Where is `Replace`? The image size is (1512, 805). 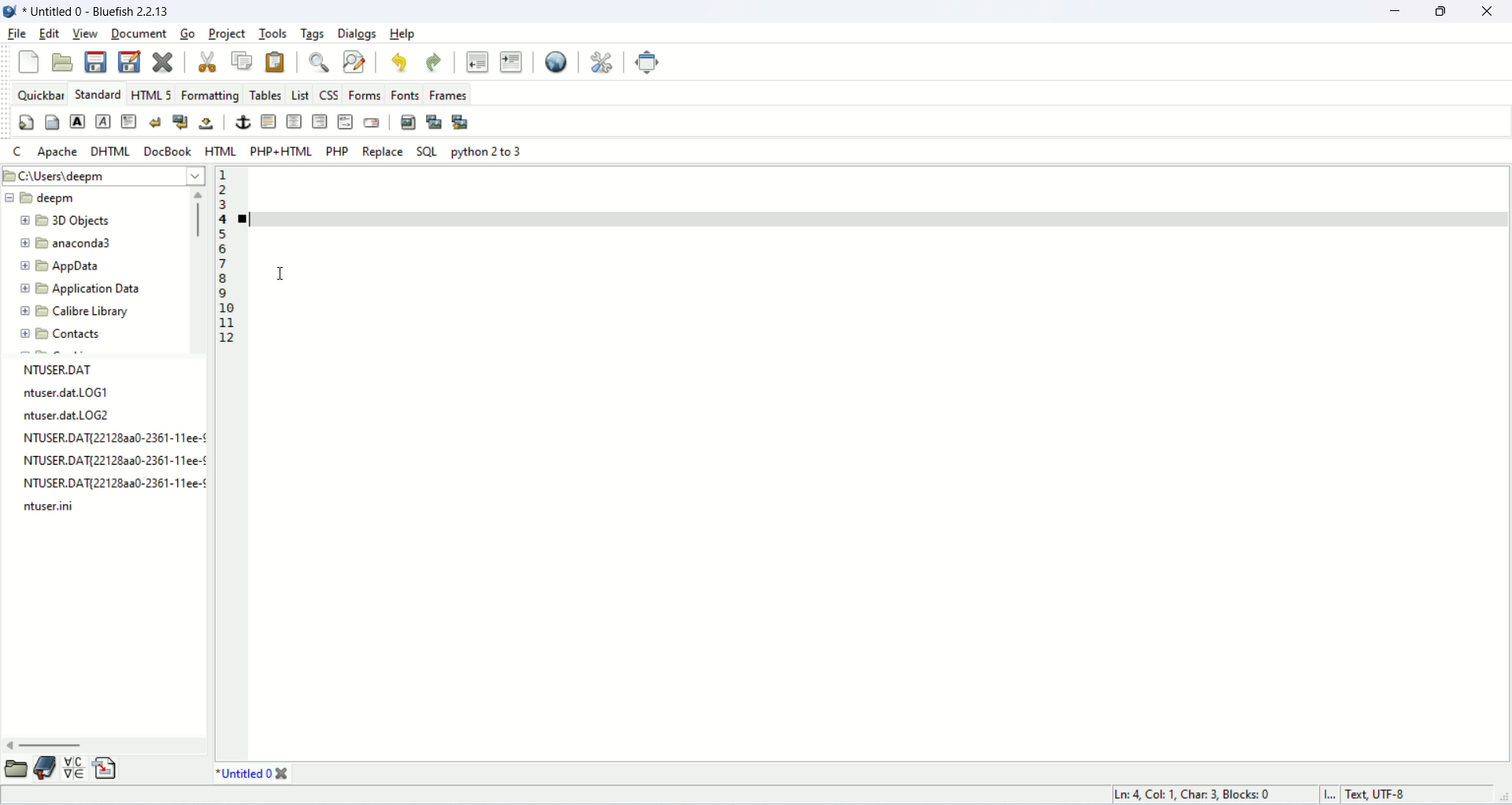
Replace is located at coordinates (384, 151).